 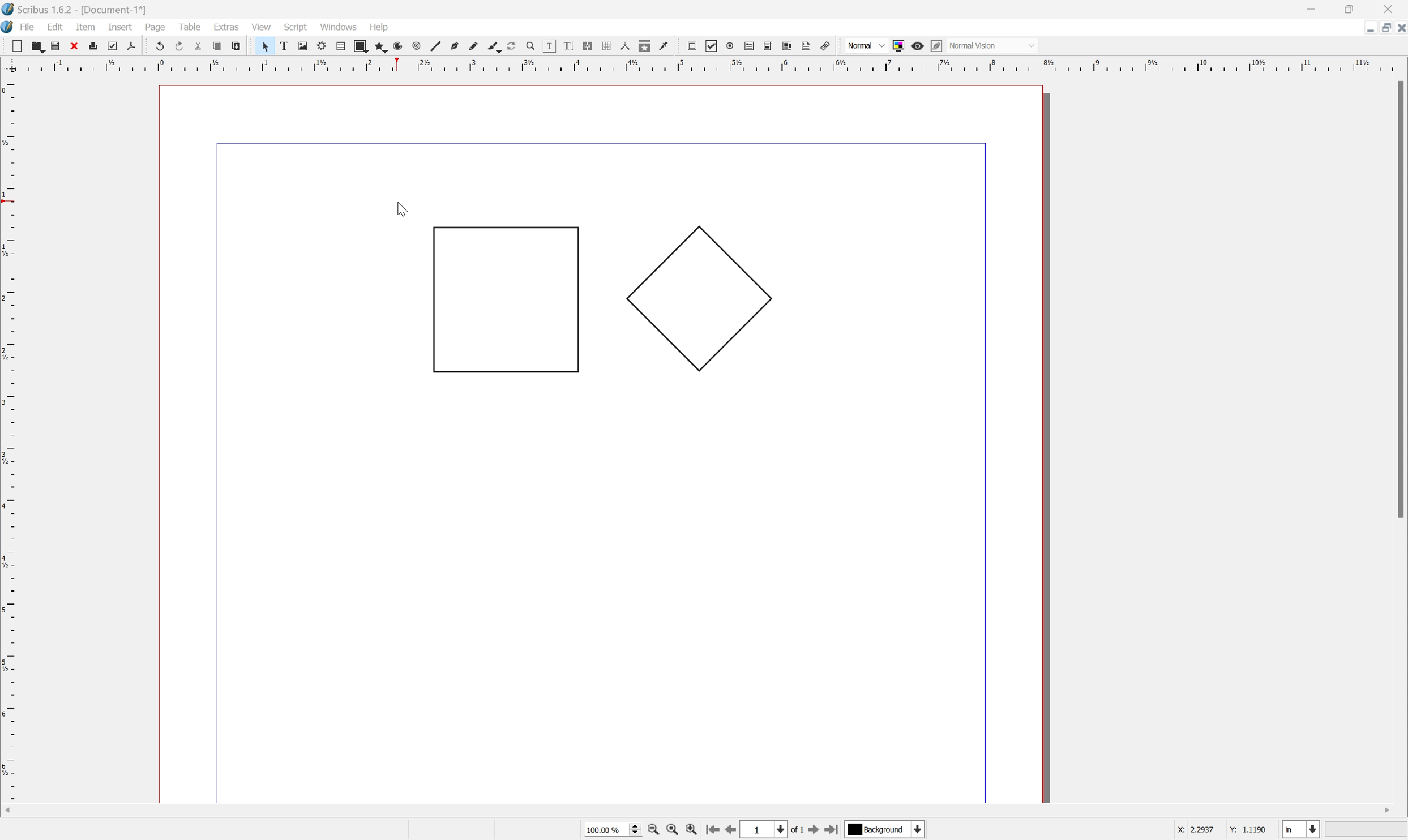 I want to click on edit text with story editor, so click(x=568, y=47).